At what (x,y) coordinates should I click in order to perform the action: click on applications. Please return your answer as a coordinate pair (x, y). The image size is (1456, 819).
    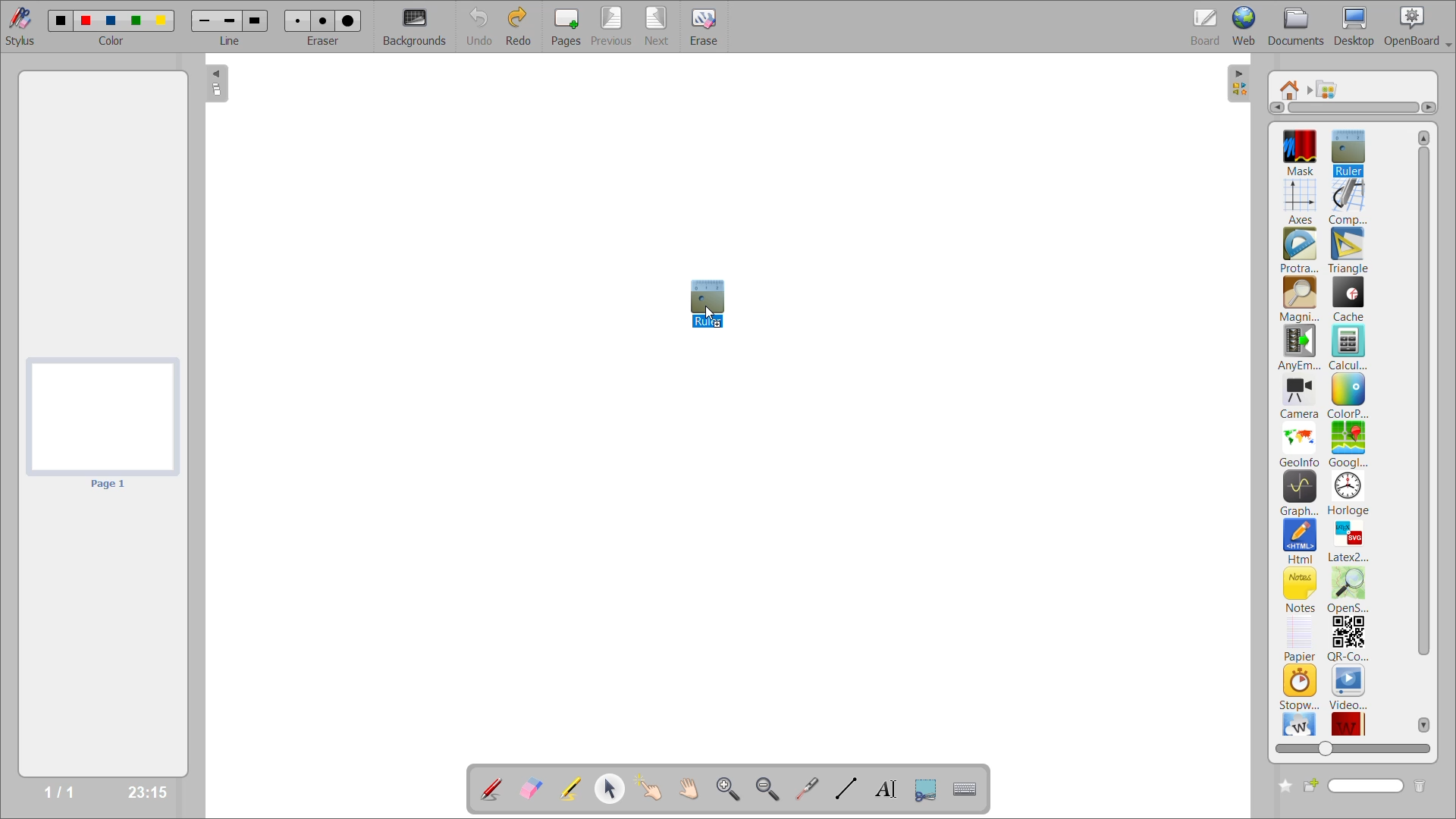
    Looking at the image, I should click on (1332, 89).